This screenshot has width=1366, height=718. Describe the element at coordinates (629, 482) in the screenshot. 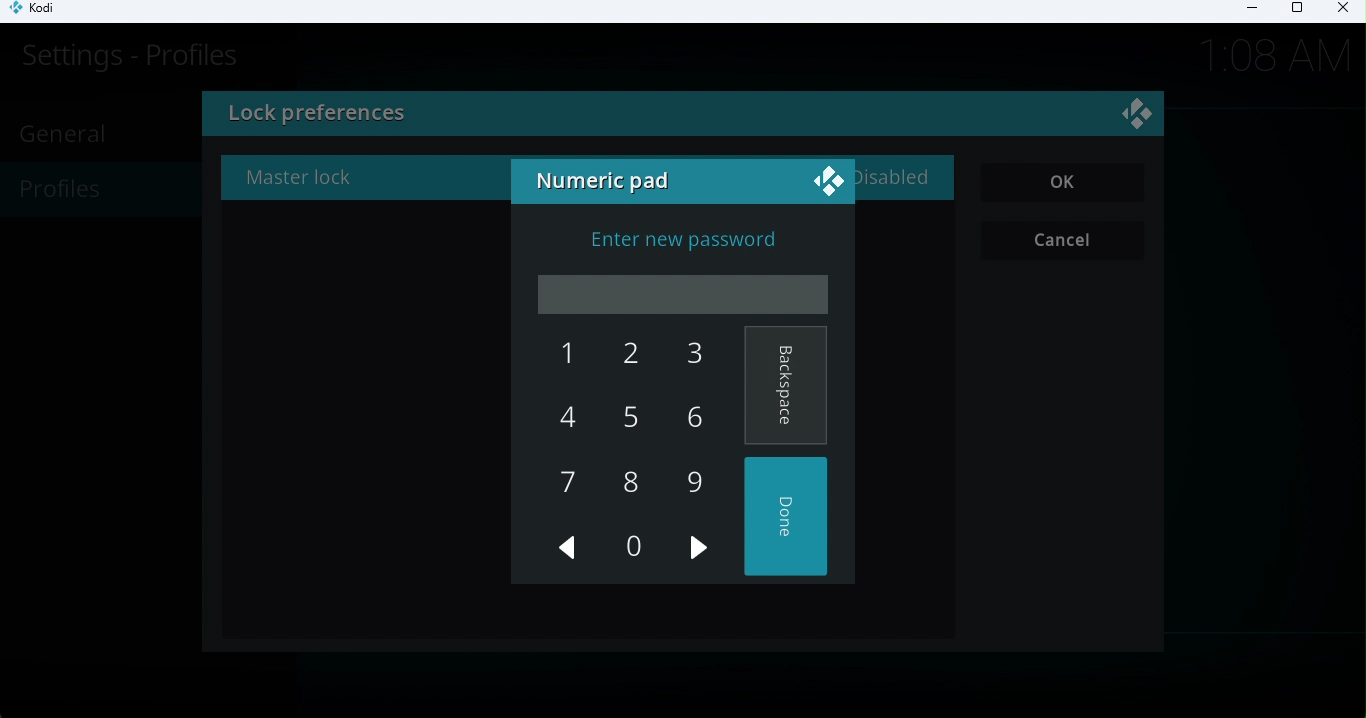

I see `8` at that location.